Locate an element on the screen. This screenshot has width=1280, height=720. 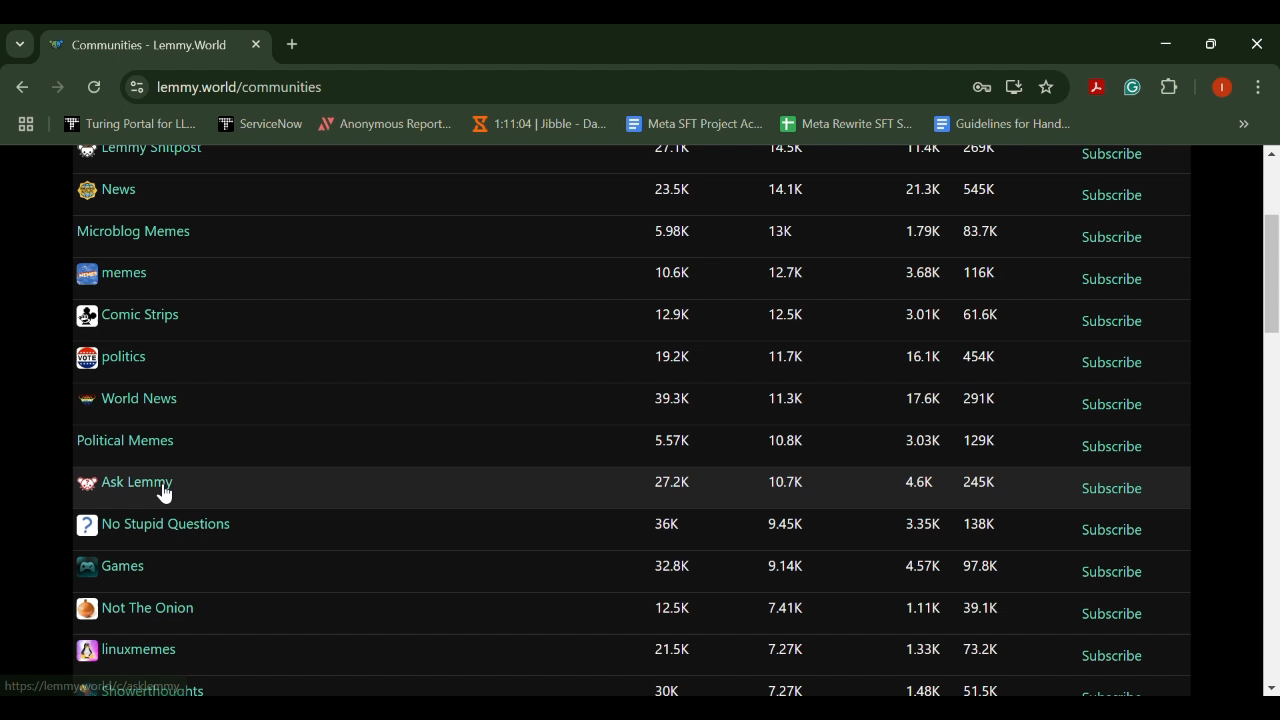
14.5K is located at coordinates (786, 148).